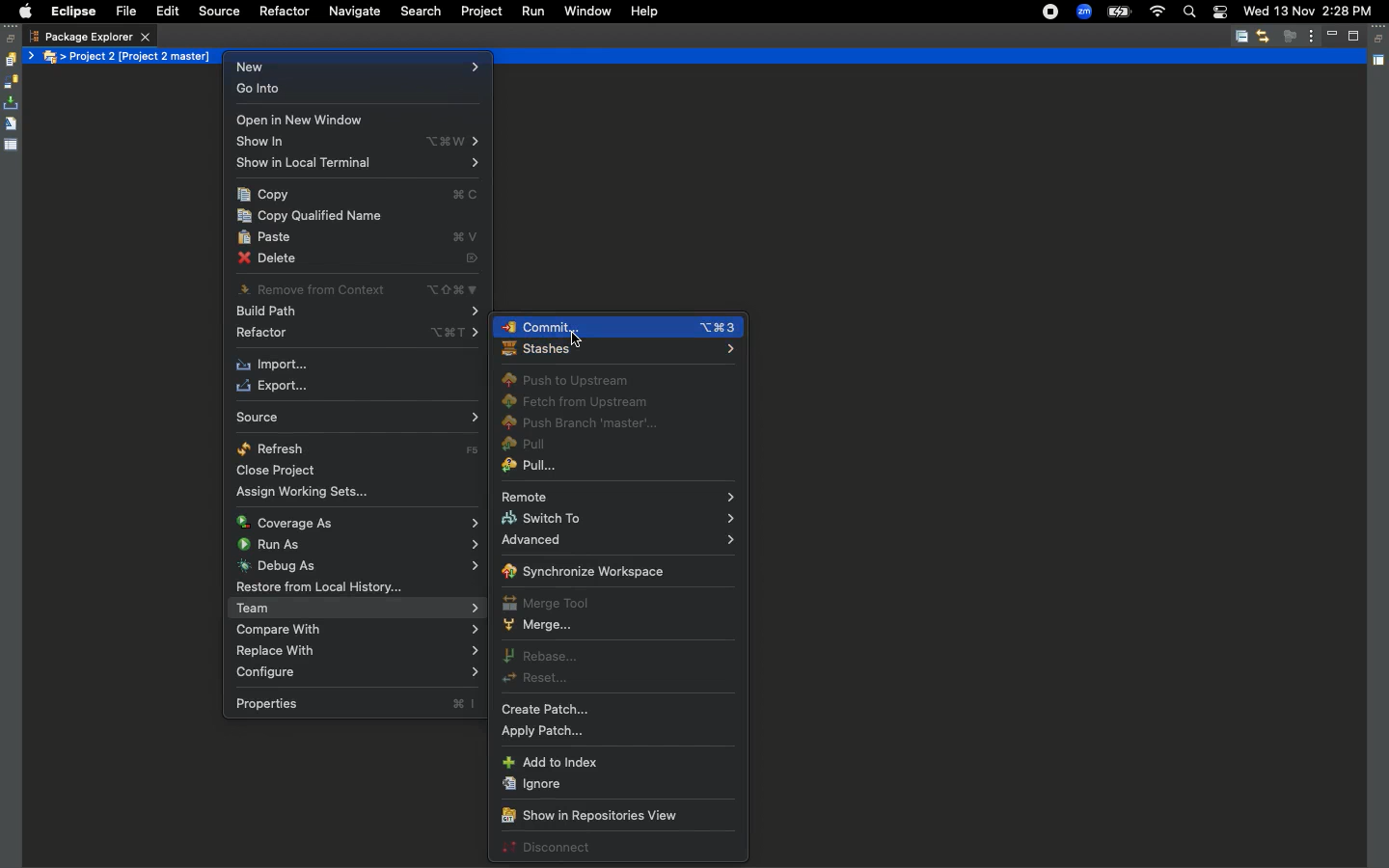 The height and width of the screenshot is (868, 1389). What do you see at coordinates (531, 12) in the screenshot?
I see `Run` at bounding box center [531, 12].